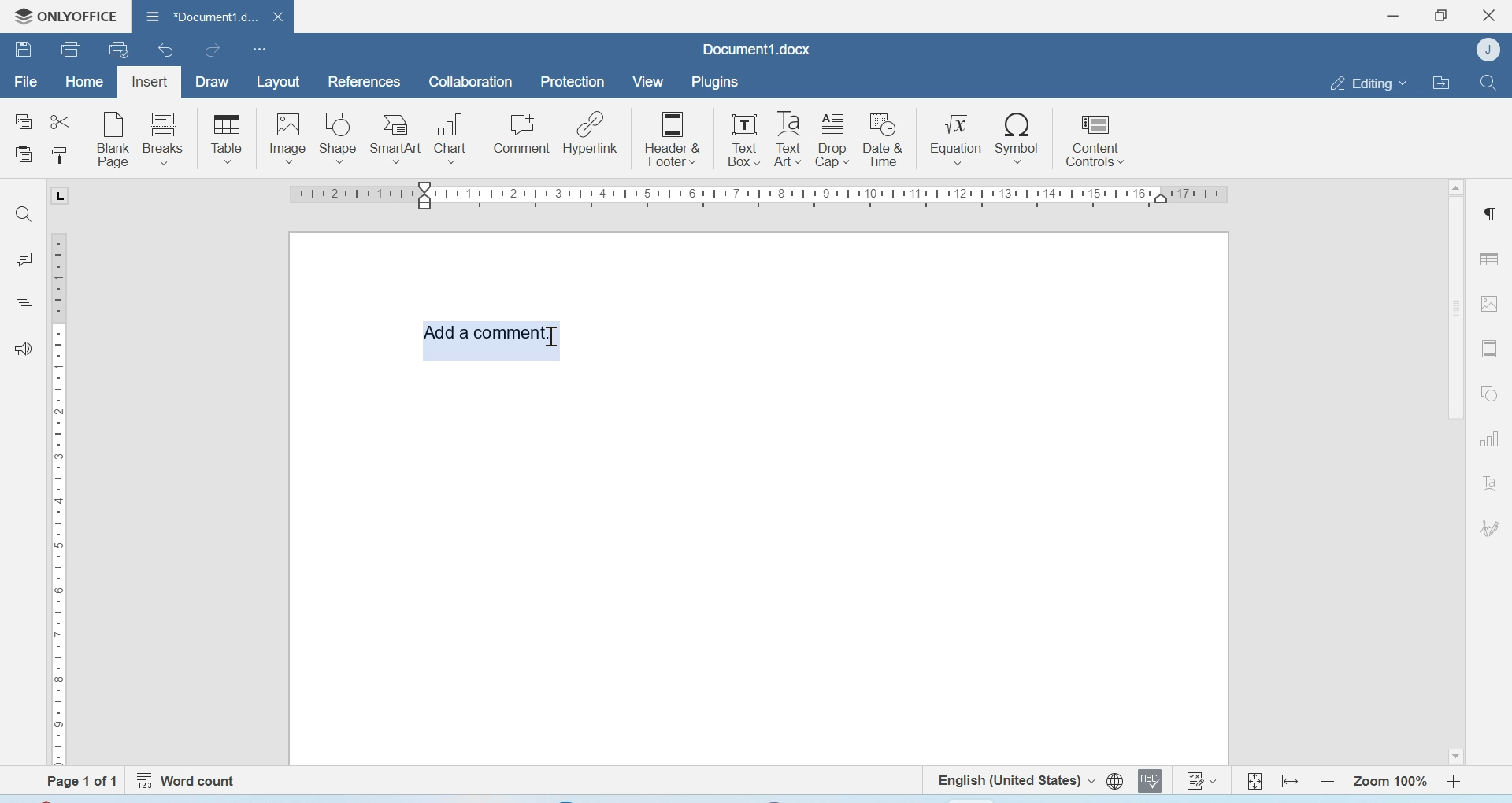  What do you see at coordinates (785, 139) in the screenshot?
I see `Text Box` at bounding box center [785, 139].